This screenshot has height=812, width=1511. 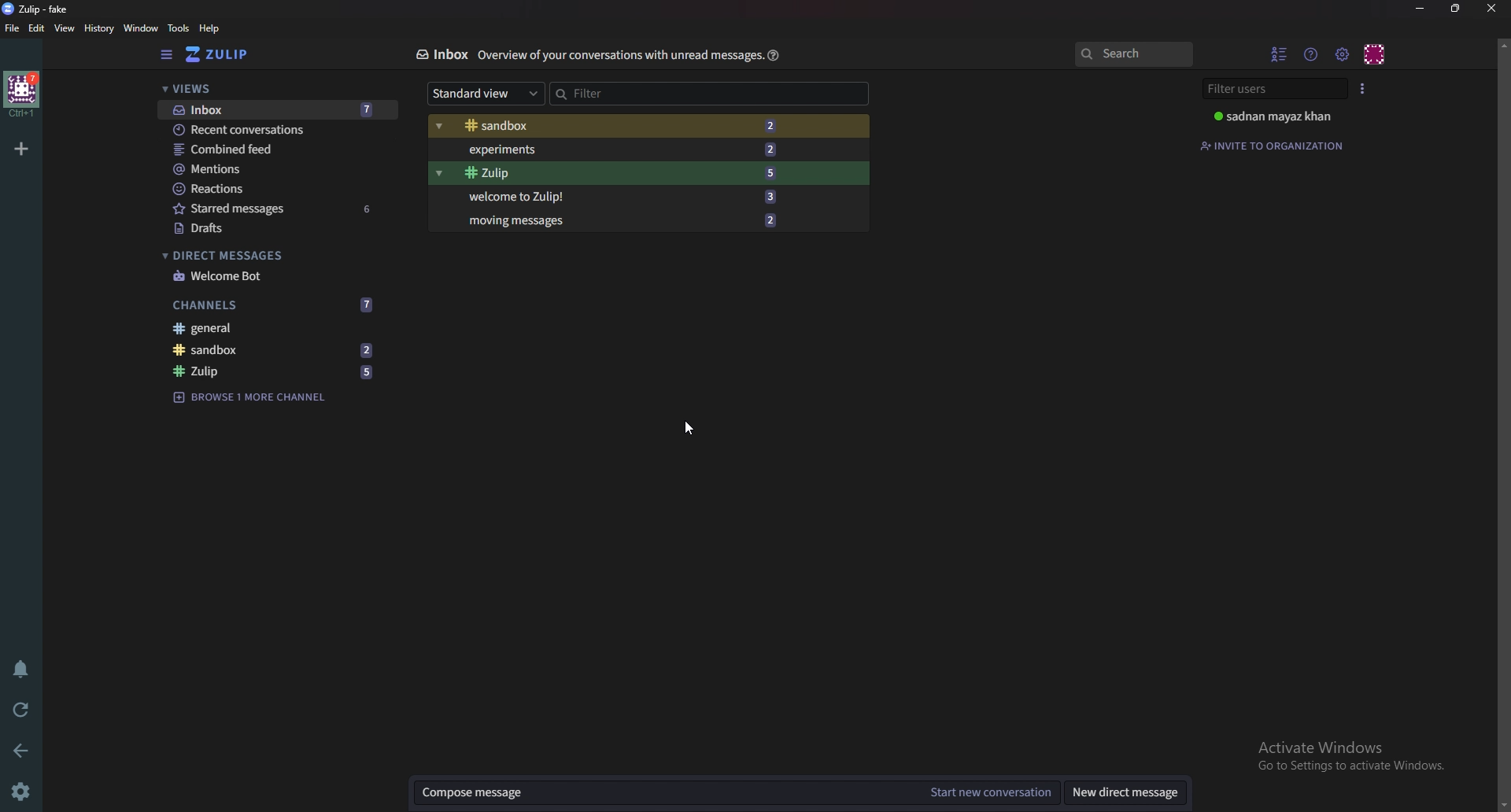 I want to click on Home, so click(x=23, y=94).